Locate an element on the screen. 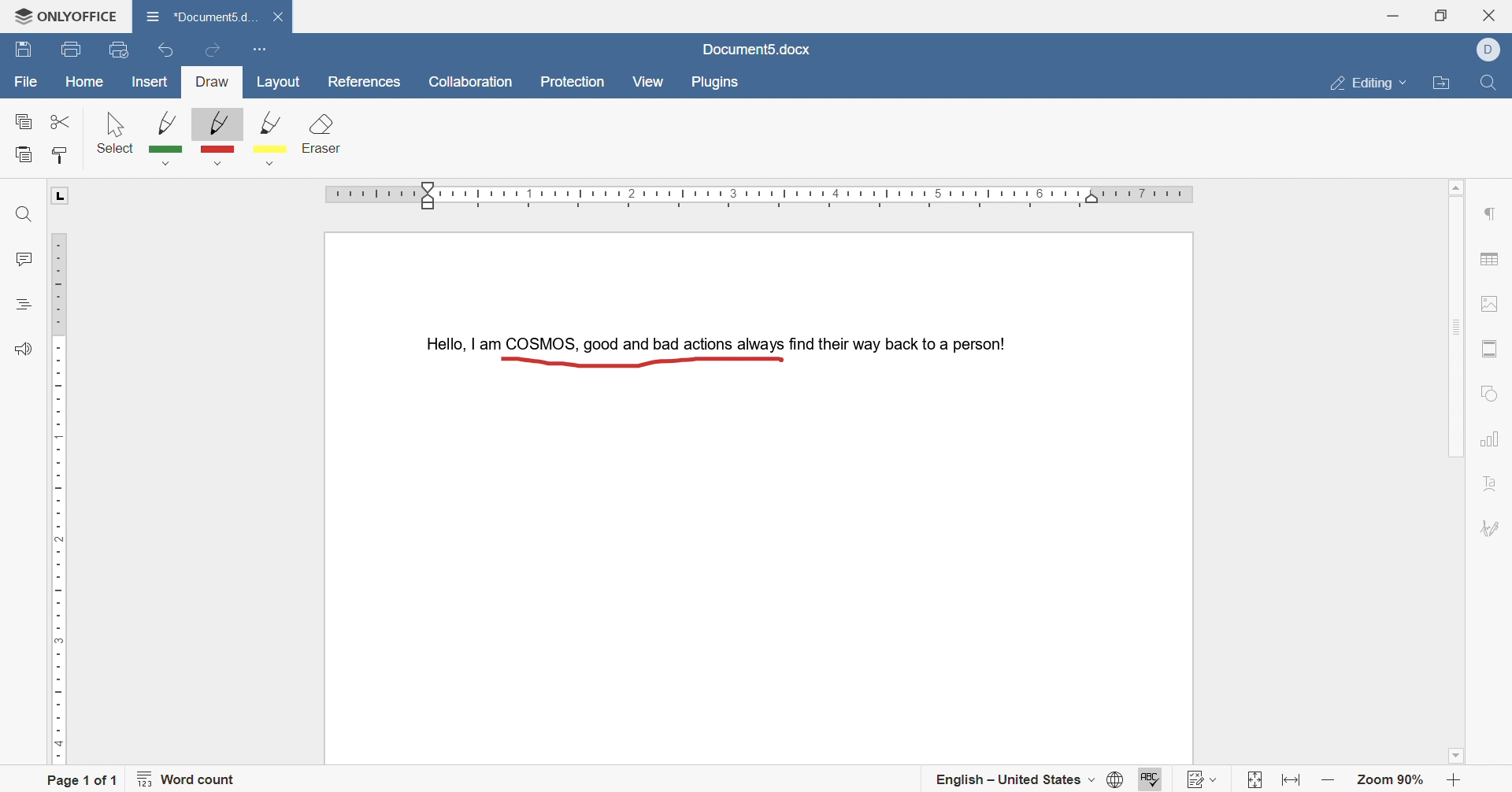 This screenshot has height=792, width=1512. yellow pen is located at coordinates (276, 141).